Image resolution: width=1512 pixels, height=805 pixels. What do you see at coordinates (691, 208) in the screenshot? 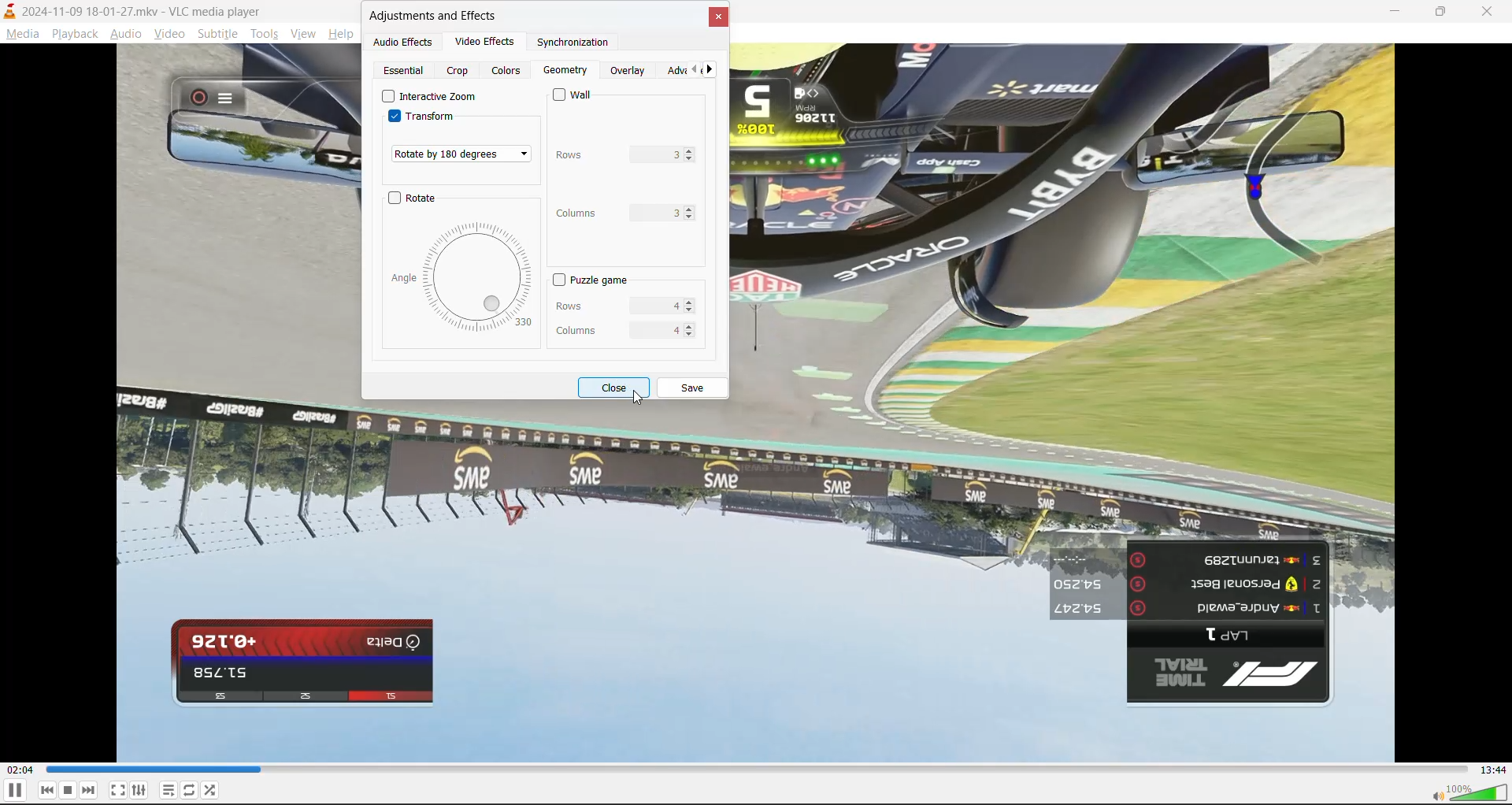
I see `Increase` at bounding box center [691, 208].